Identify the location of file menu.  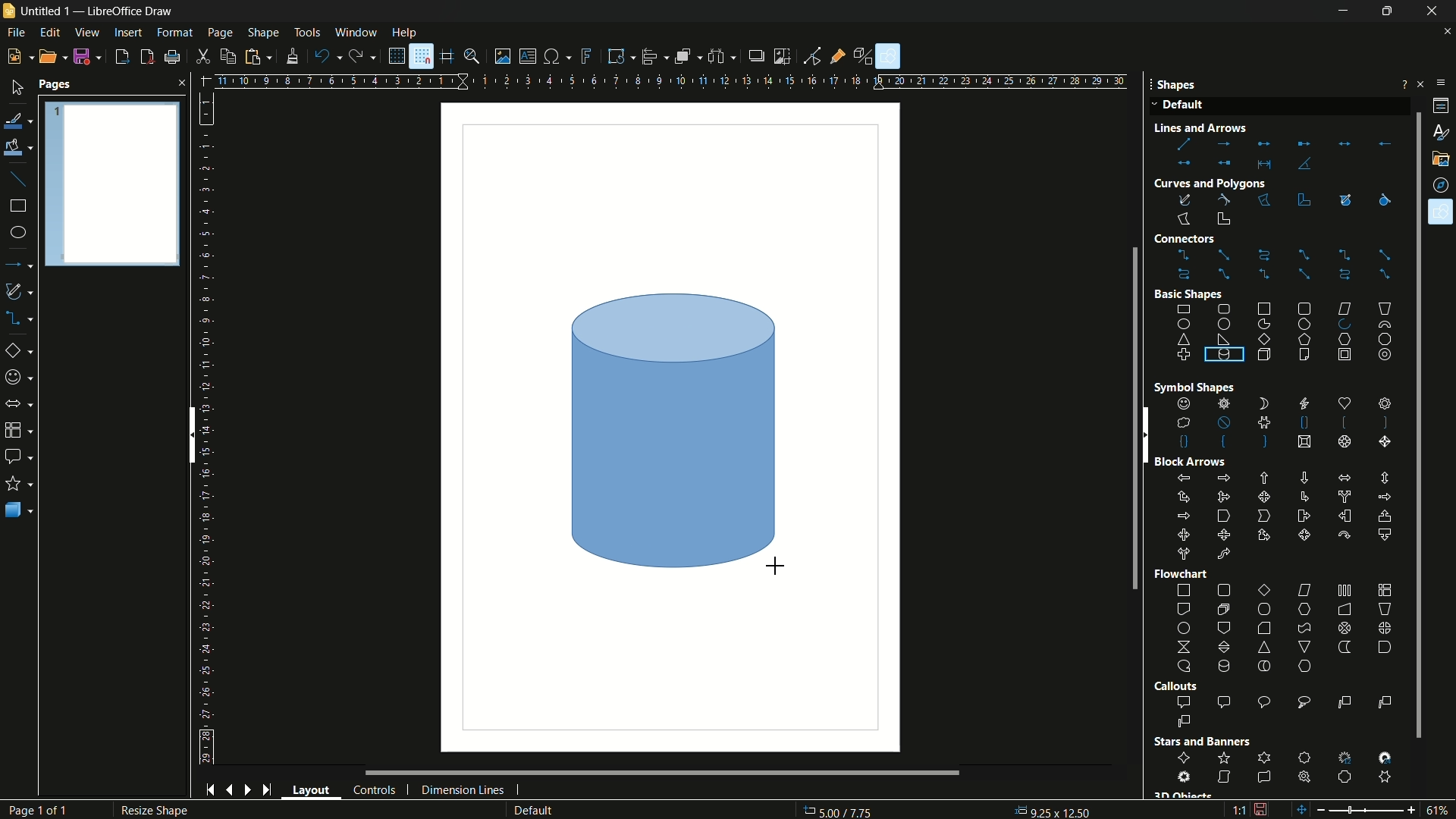
(14, 33).